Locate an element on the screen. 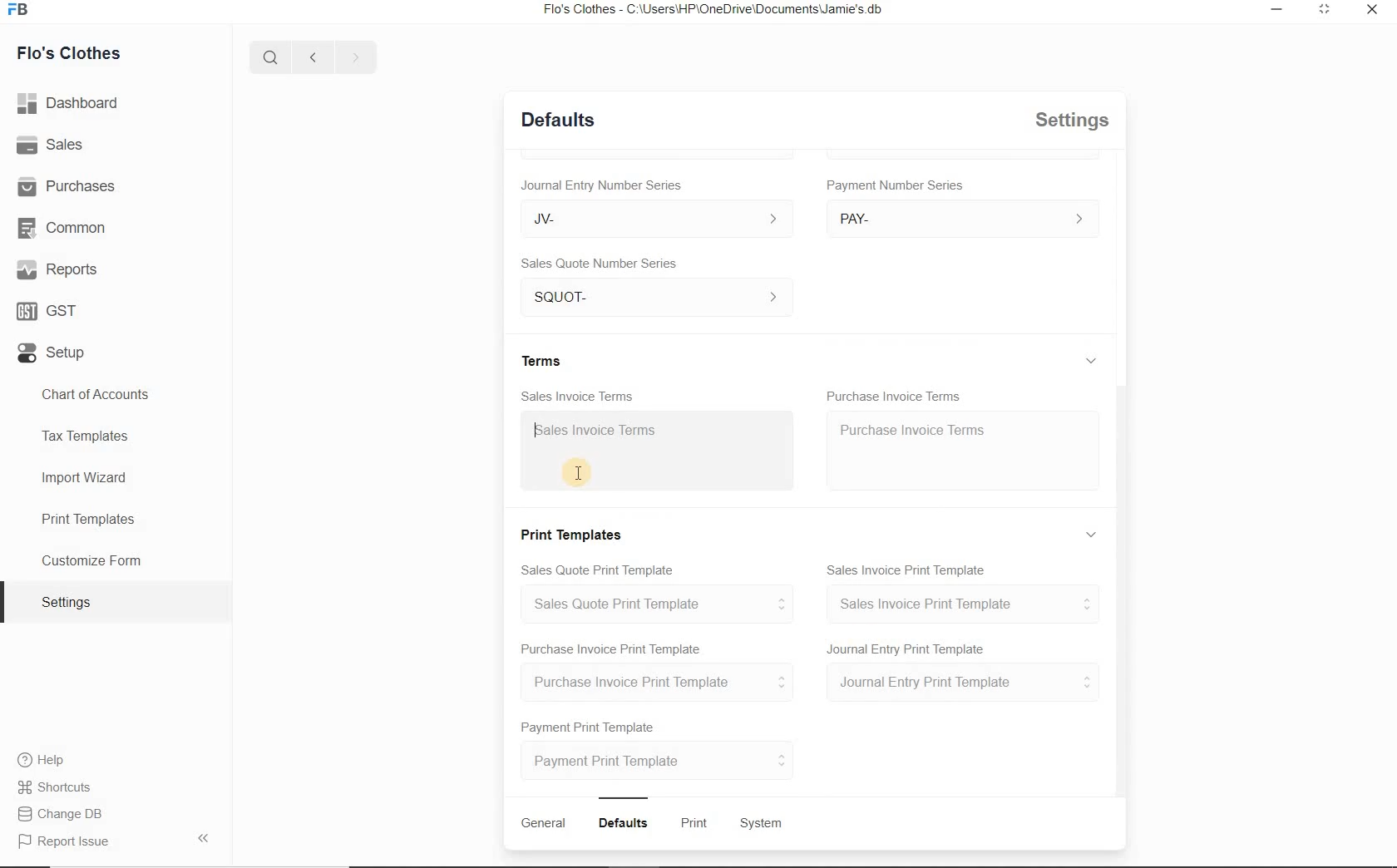 Image resolution: width=1397 pixels, height=868 pixels. Sales Invoice Terms is located at coordinates (659, 451).